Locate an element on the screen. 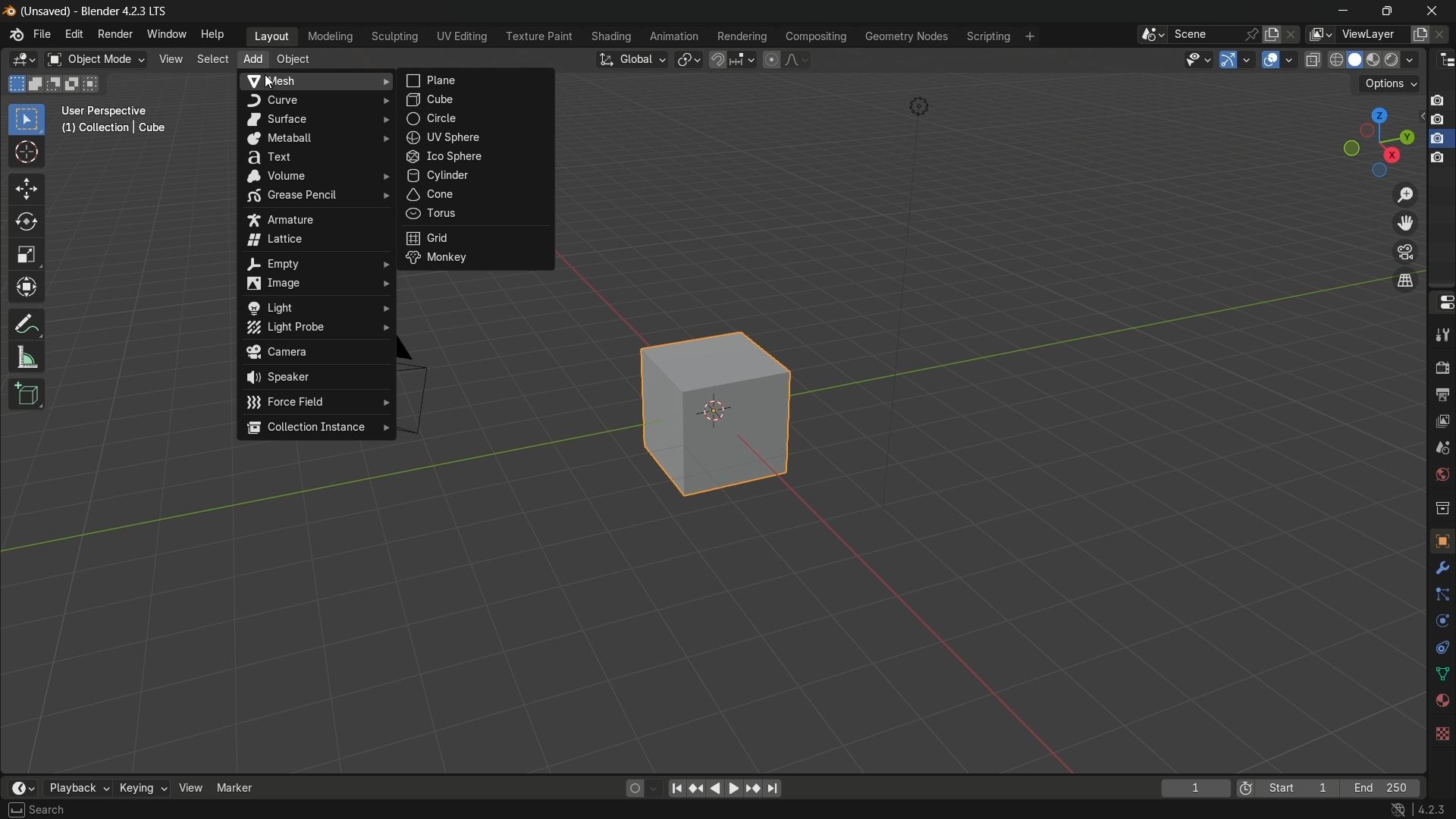 Image resolution: width=1456 pixels, height=819 pixels. auto keyframe is located at coordinates (653, 789).